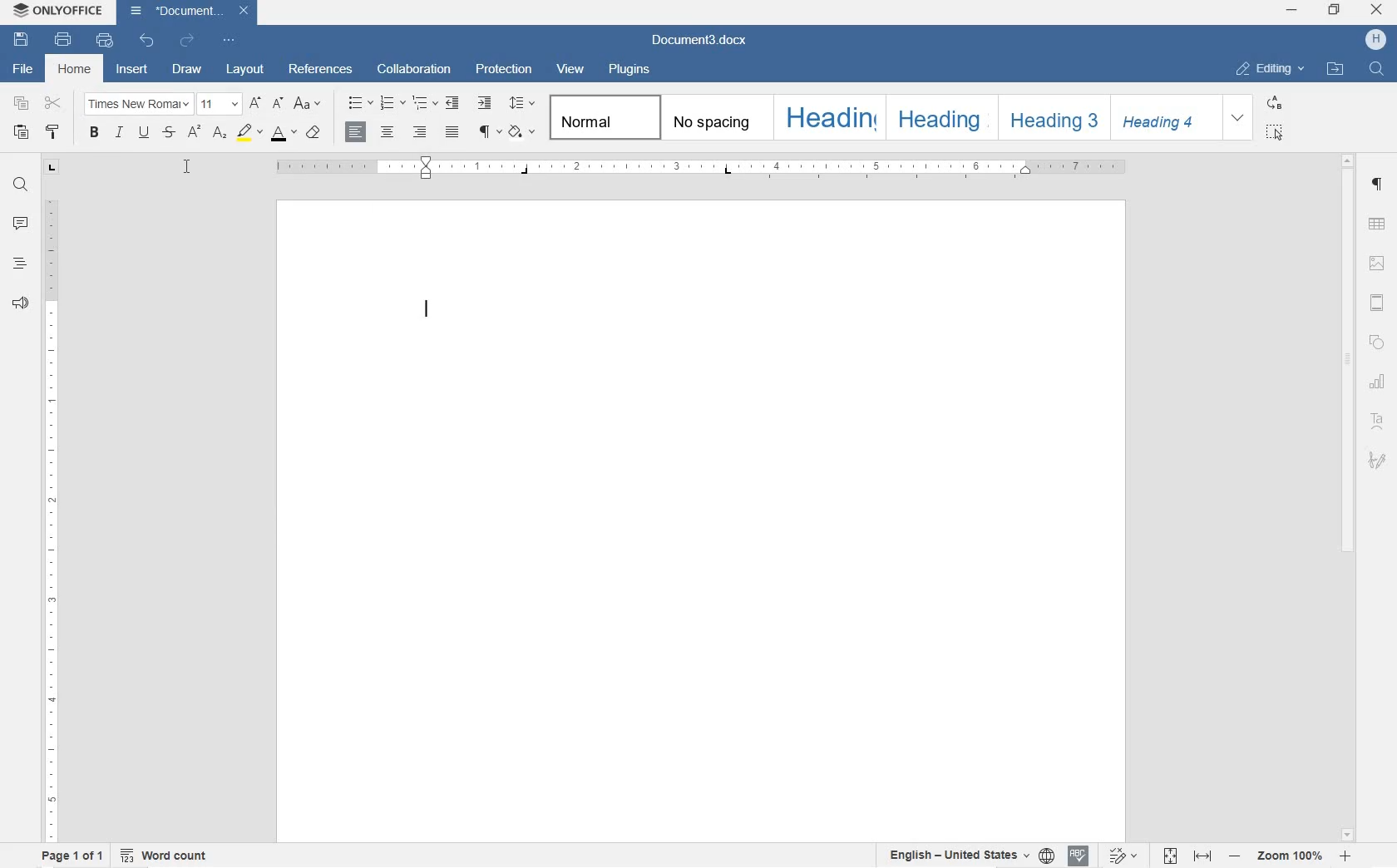  Describe the element at coordinates (20, 133) in the screenshot. I see `PASTE` at that location.